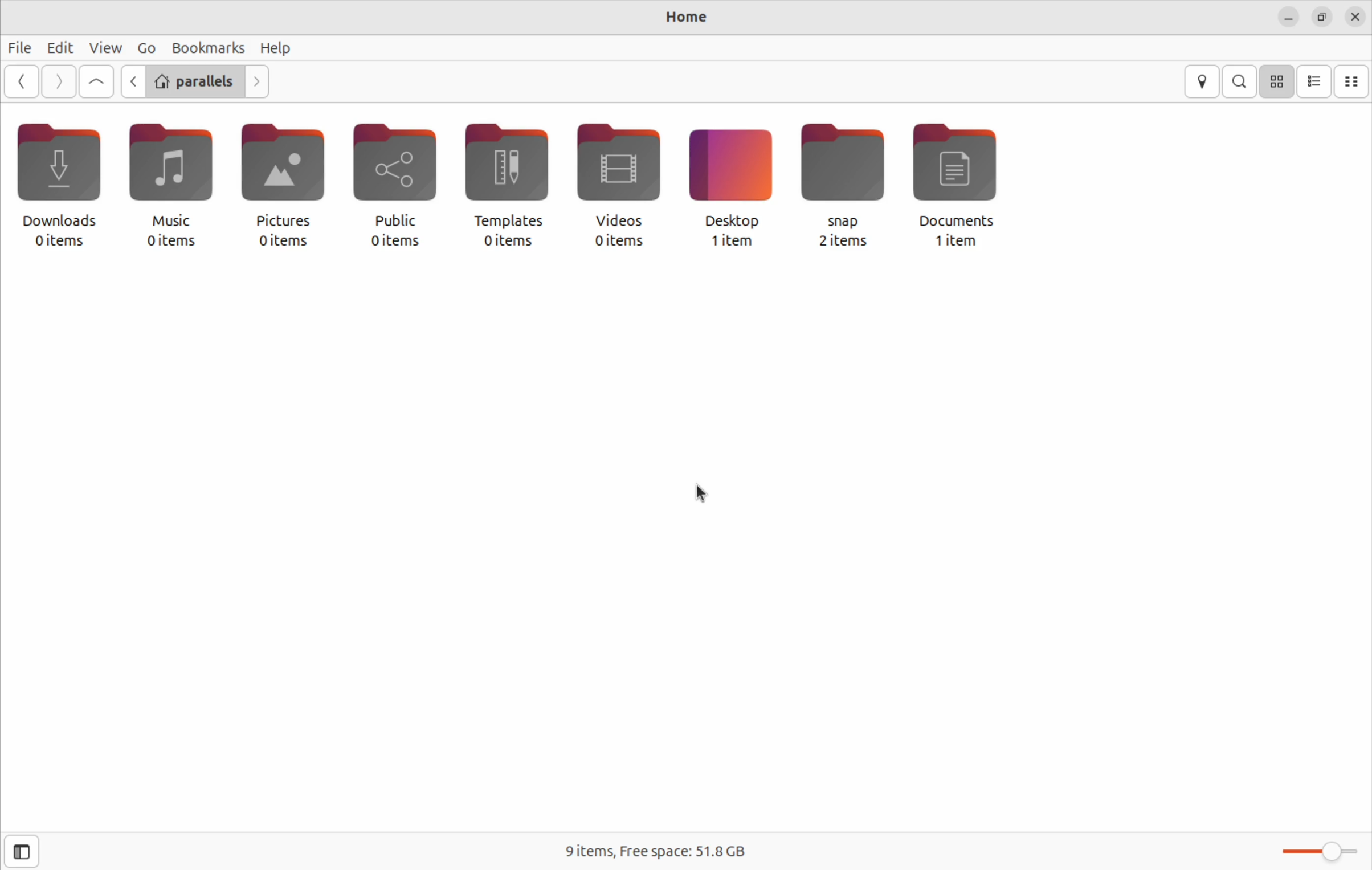  What do you see at coordinates (285, 170) in the screenshot?
I see `pictures` at bounding box center [285, 170].